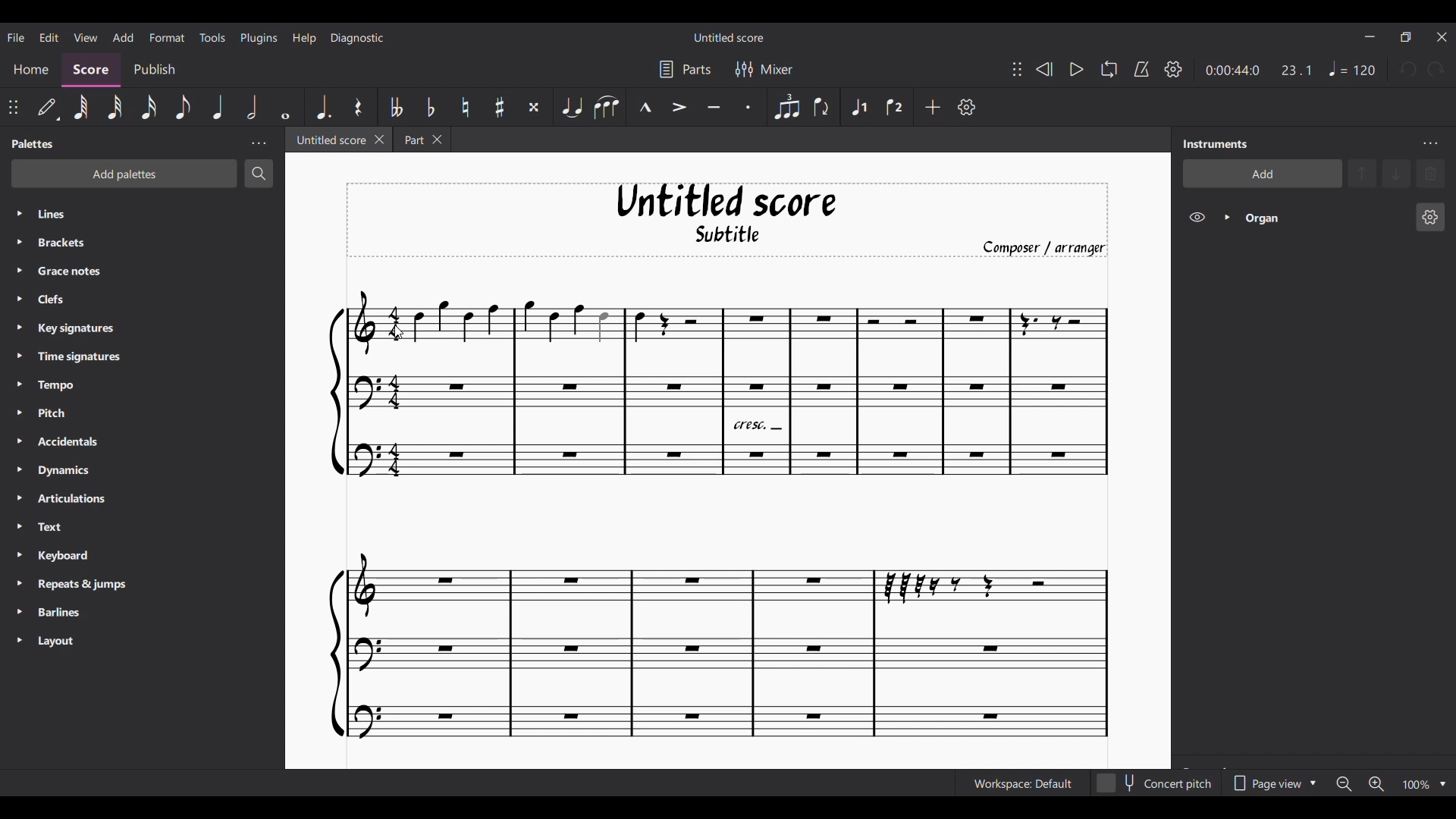 This screenshot has width=1456, height=819. What do you see at coordinates (123, 36) in the screenshot?
I see `Add menu` at bounding box center [123, 36].